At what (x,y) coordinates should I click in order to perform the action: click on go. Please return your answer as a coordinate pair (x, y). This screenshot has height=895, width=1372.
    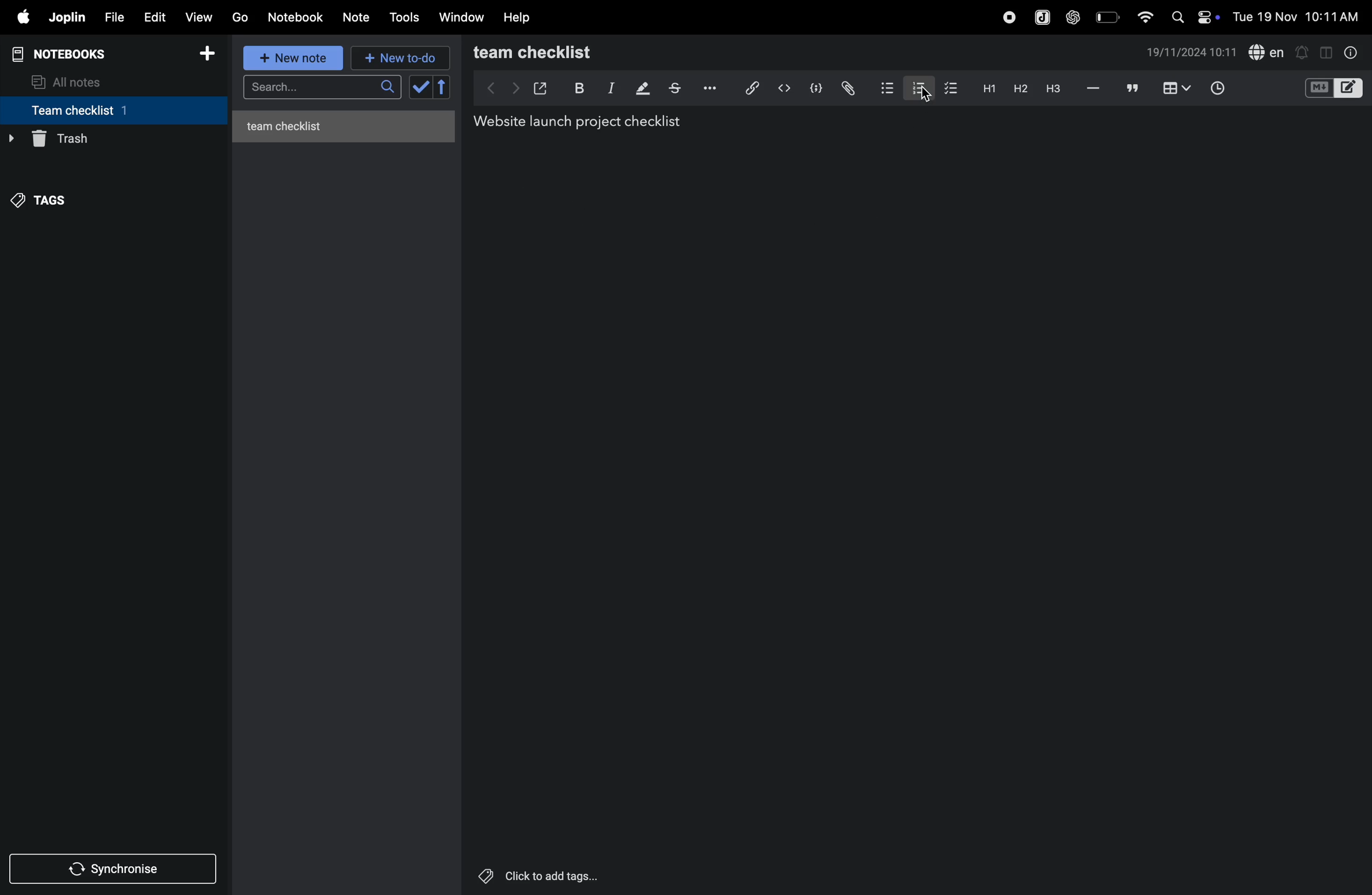
    Looking at the image, I should click on (240, 18).